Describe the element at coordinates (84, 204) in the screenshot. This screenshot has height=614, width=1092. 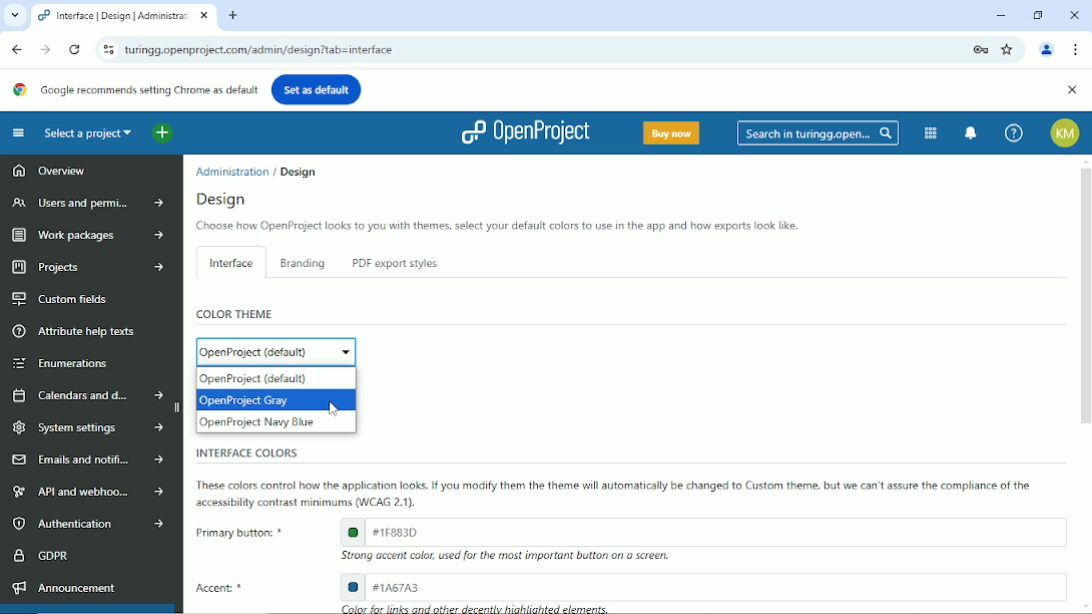
I see `Users and permissions` at that location.